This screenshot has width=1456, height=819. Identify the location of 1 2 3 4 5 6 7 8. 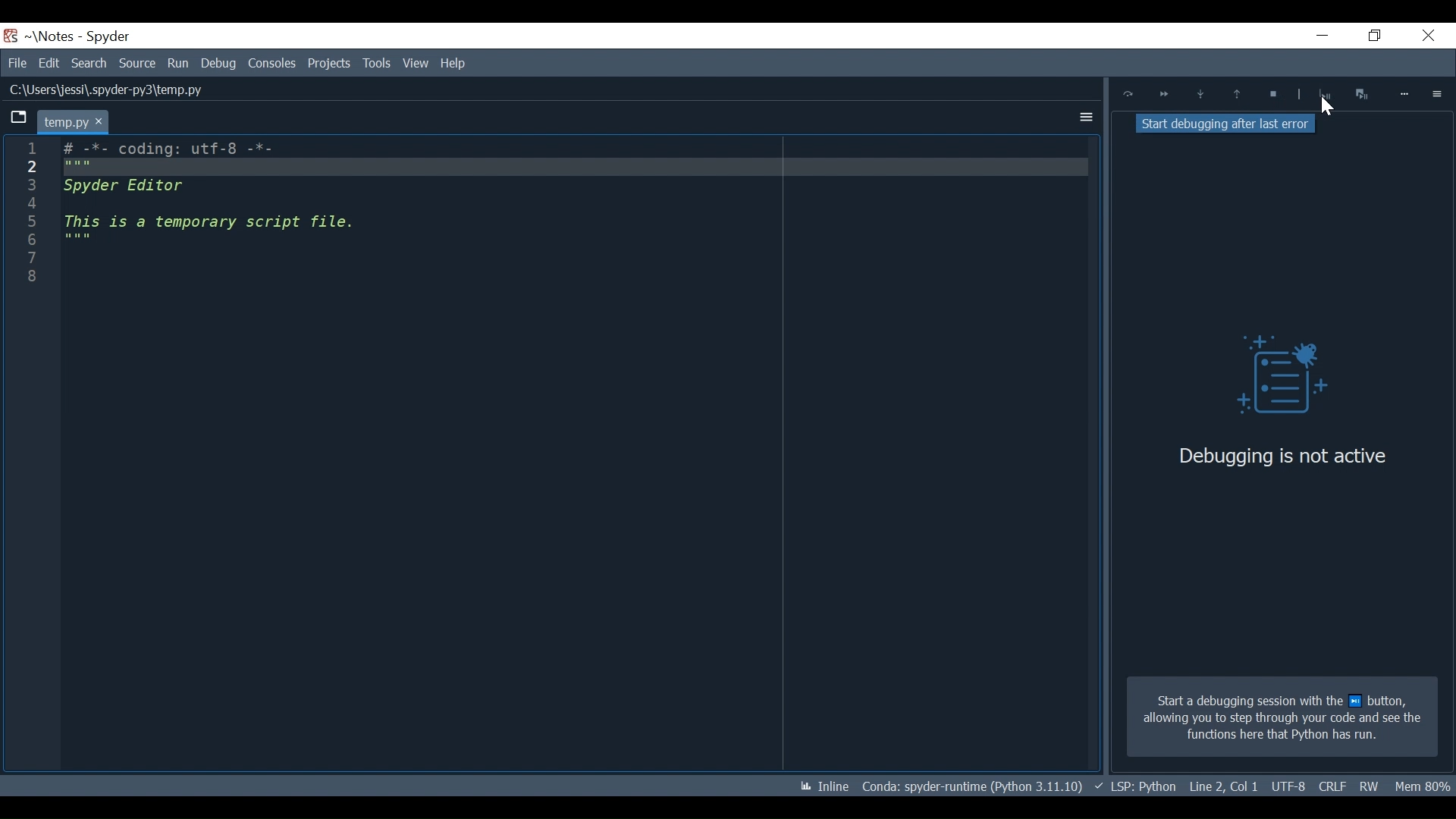
(30, 218).